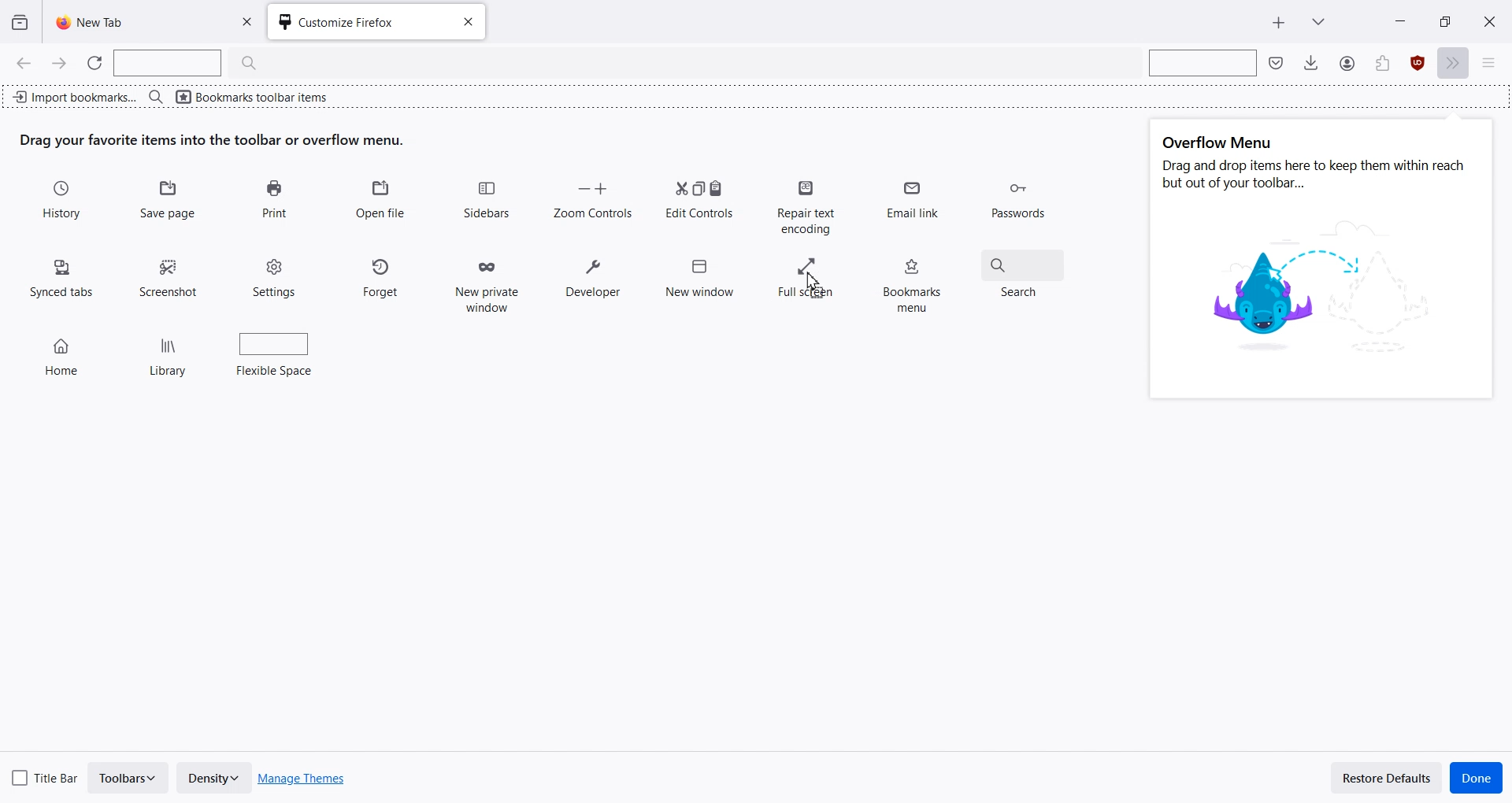 This screenshot has width=1512, height=803. I want to click on Developer, so click(593, 279).